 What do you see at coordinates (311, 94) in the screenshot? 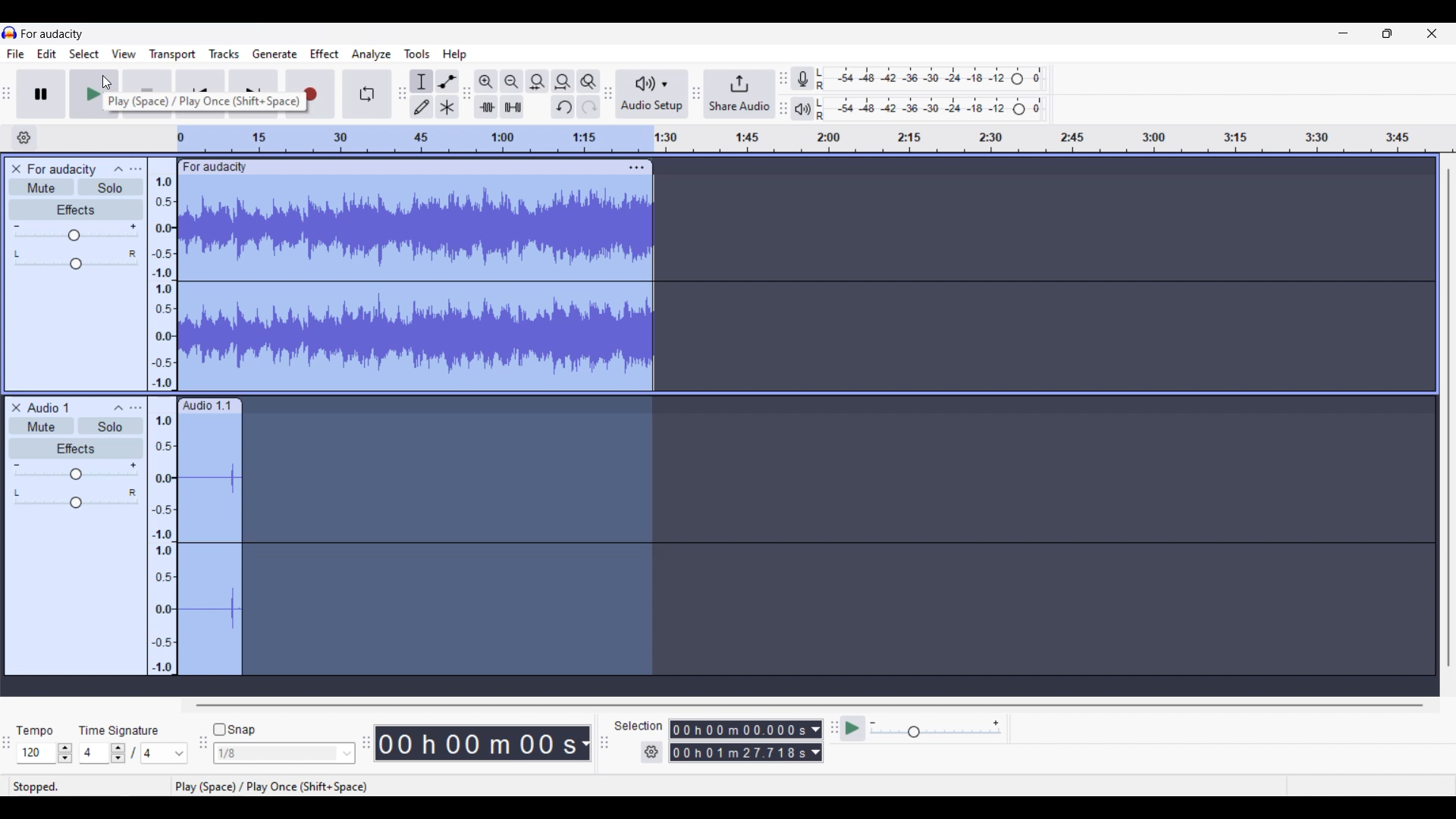
I see `Record/Record new track` at bounding box center [311, 94].